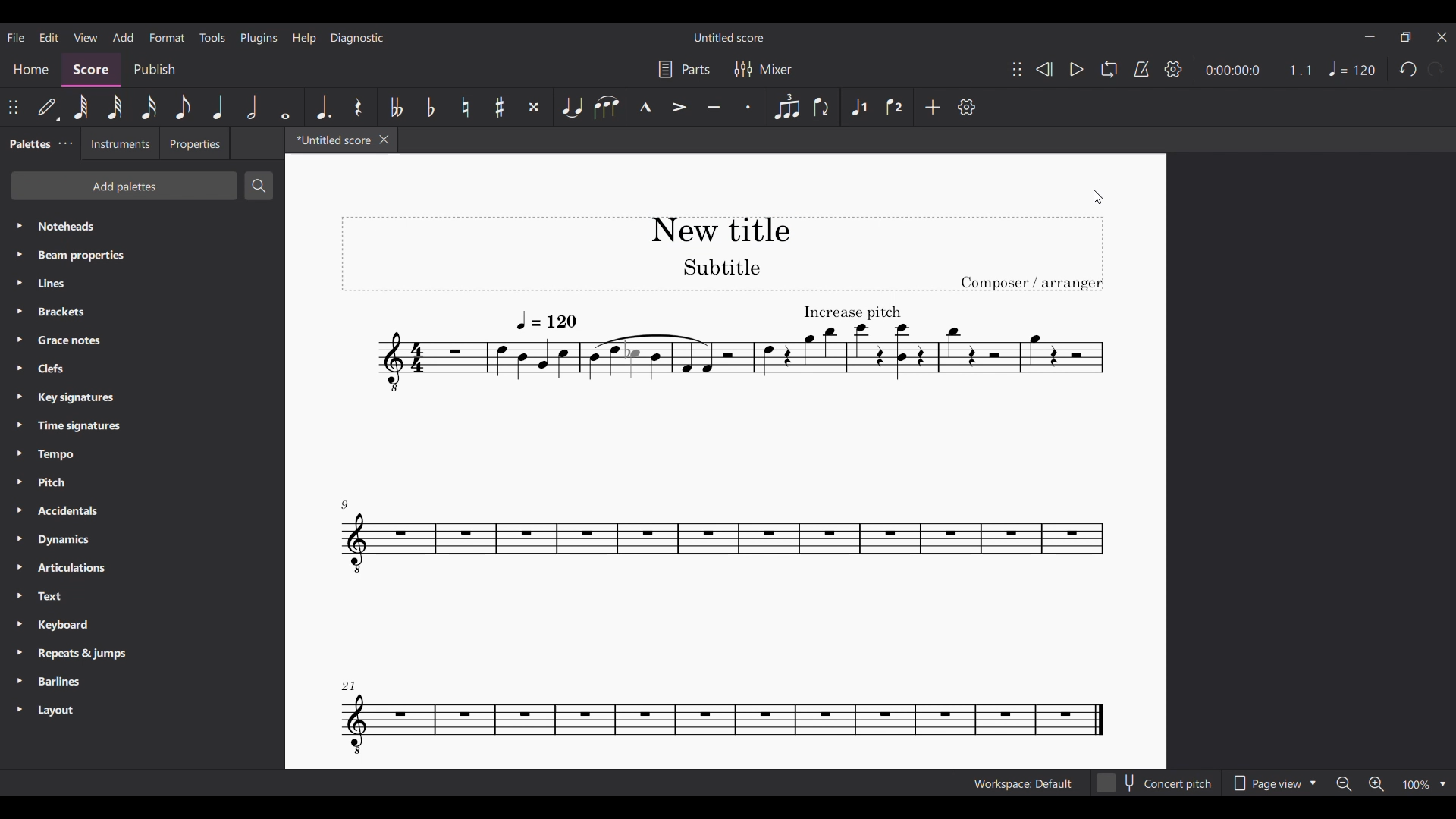 Image resolution: width=1456 pixels, height=819 pixels. I want to click on Half note, so click(253, 107).